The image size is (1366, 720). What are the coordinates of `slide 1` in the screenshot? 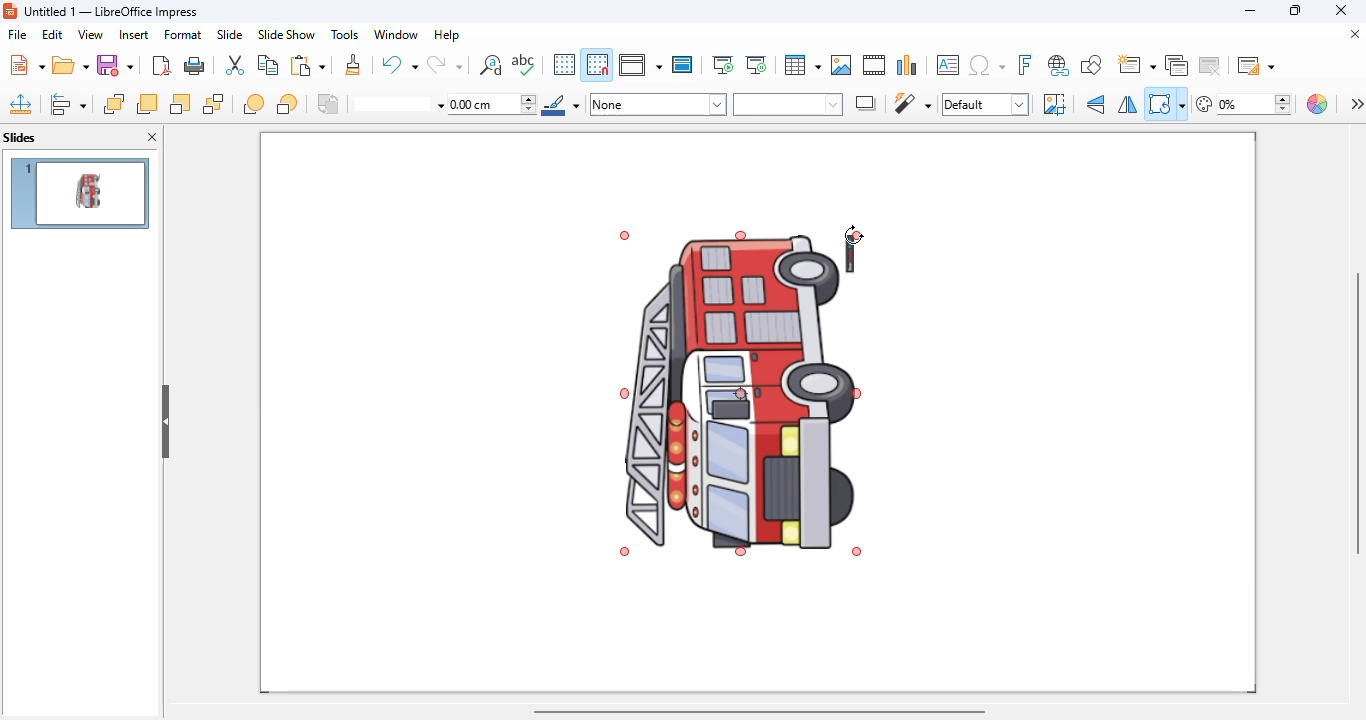 It's located at (79, 193).